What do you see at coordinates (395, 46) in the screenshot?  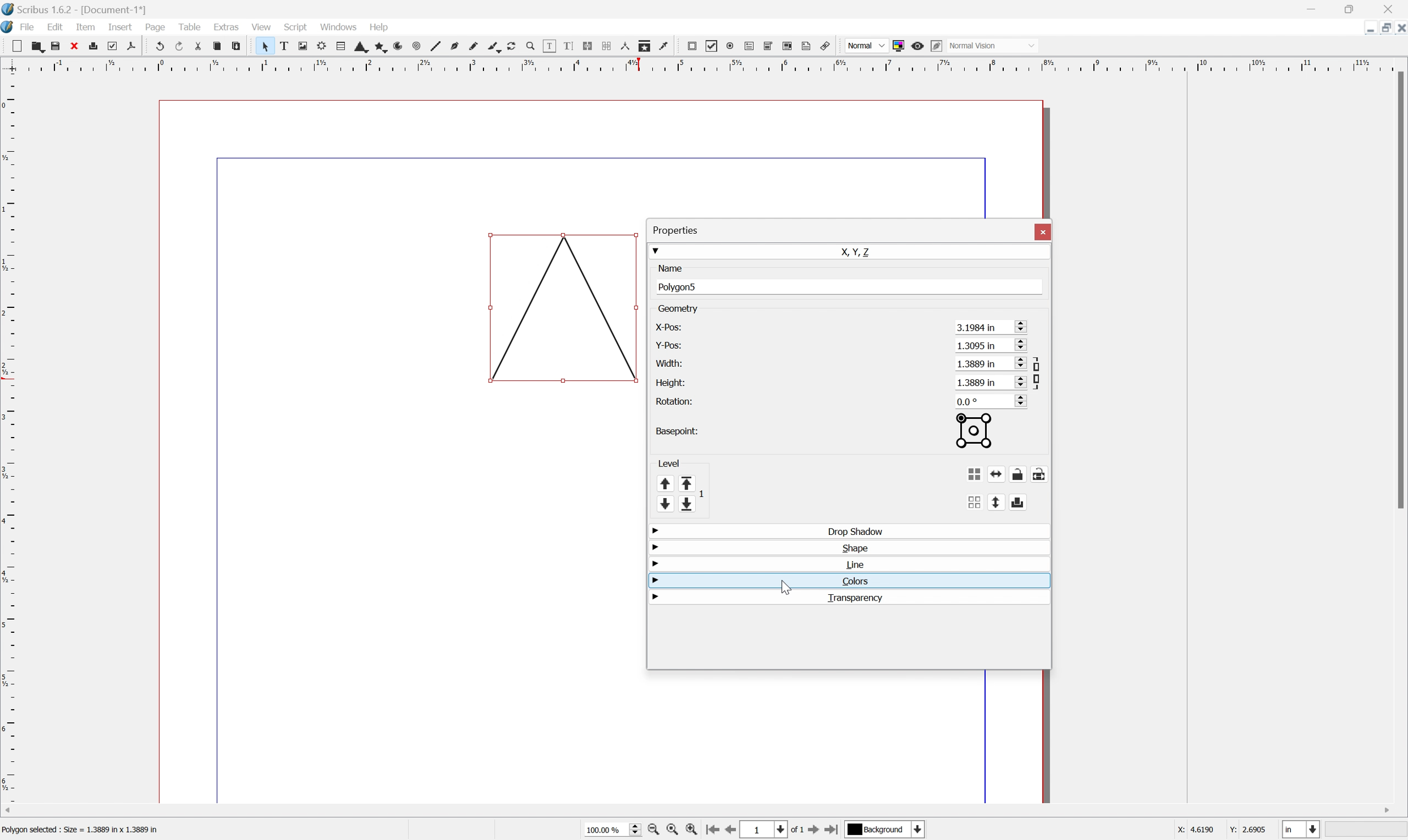 I see `Arc` at bounding box center [395, 46].